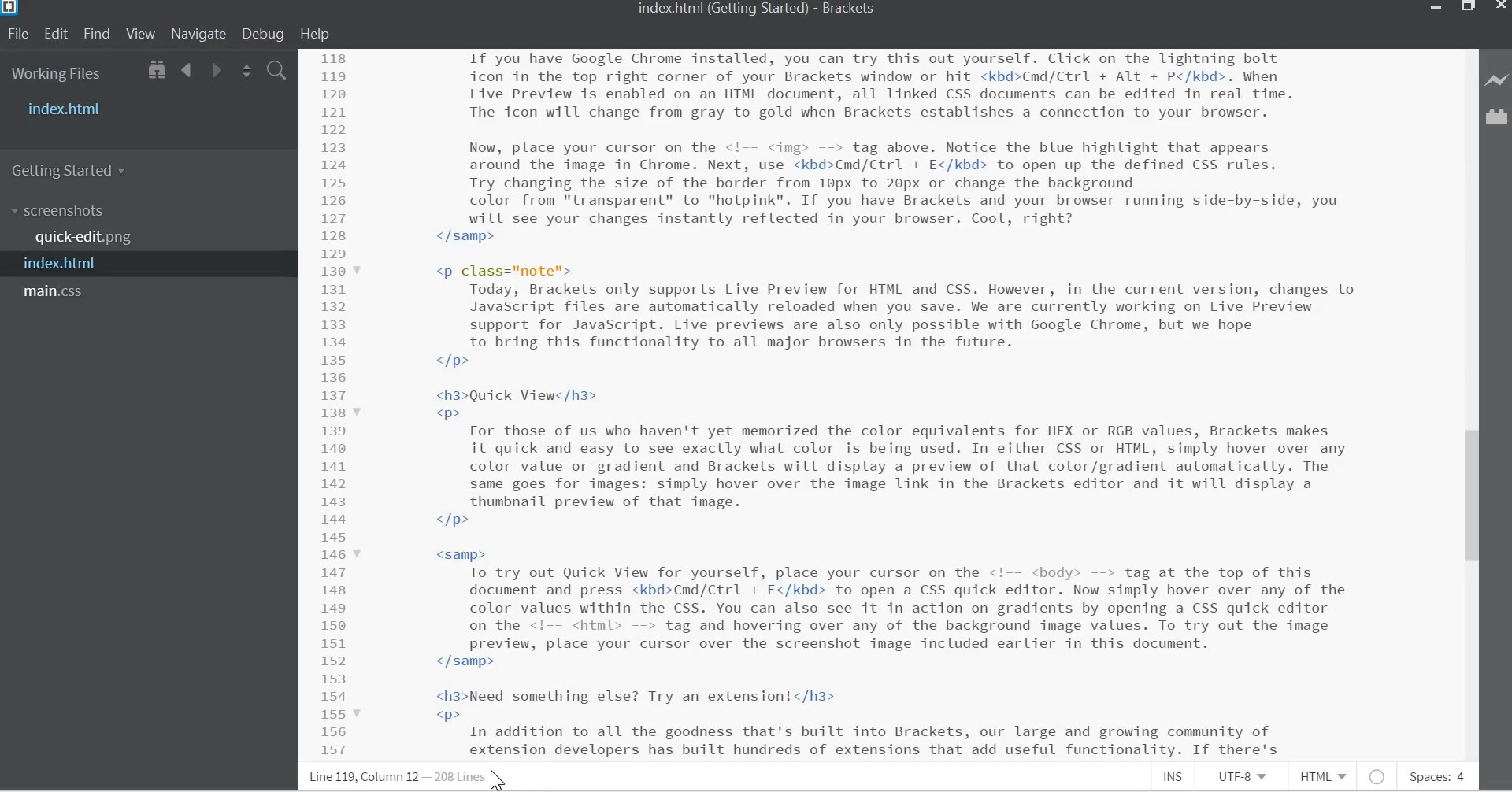 Image resolution: width=1512 pixels, height=792 pixels. I want to click on Index.html file name, so click(143, 109).